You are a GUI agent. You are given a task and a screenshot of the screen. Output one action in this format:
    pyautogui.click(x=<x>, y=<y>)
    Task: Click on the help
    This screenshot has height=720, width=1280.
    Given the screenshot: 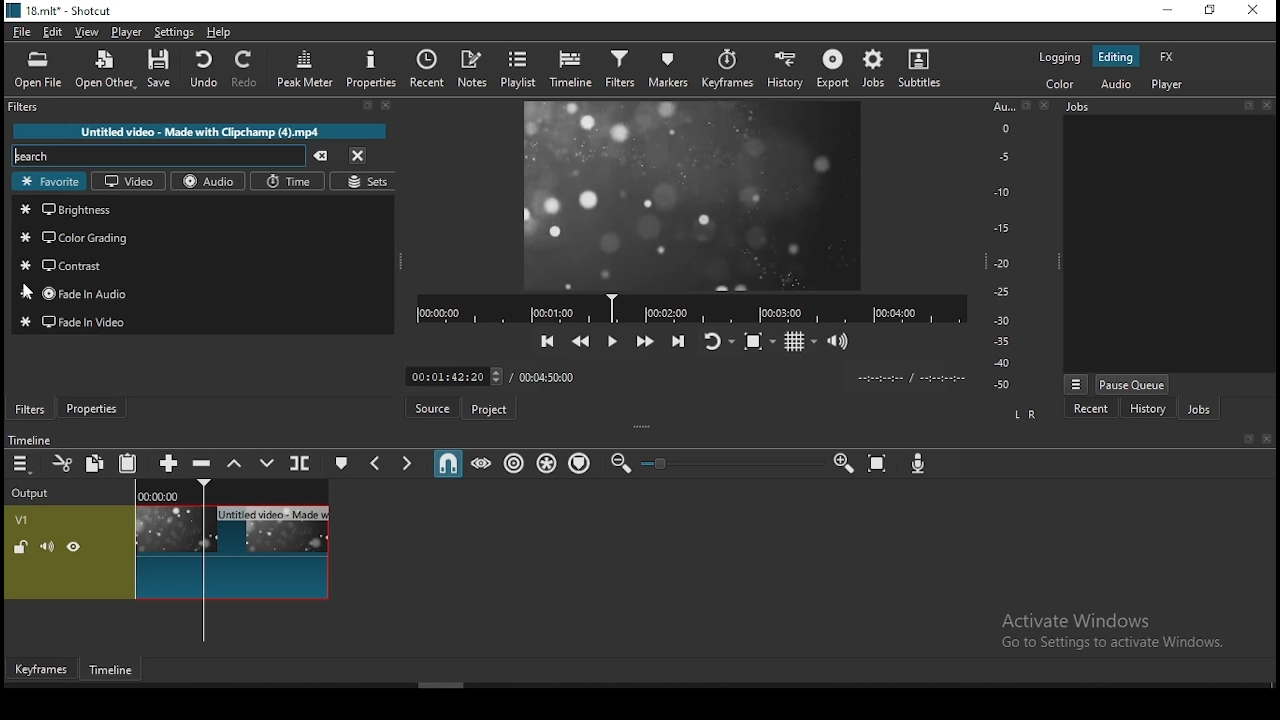 What is the action you would take?
    pyautogui.click(x=219, y=33)
    